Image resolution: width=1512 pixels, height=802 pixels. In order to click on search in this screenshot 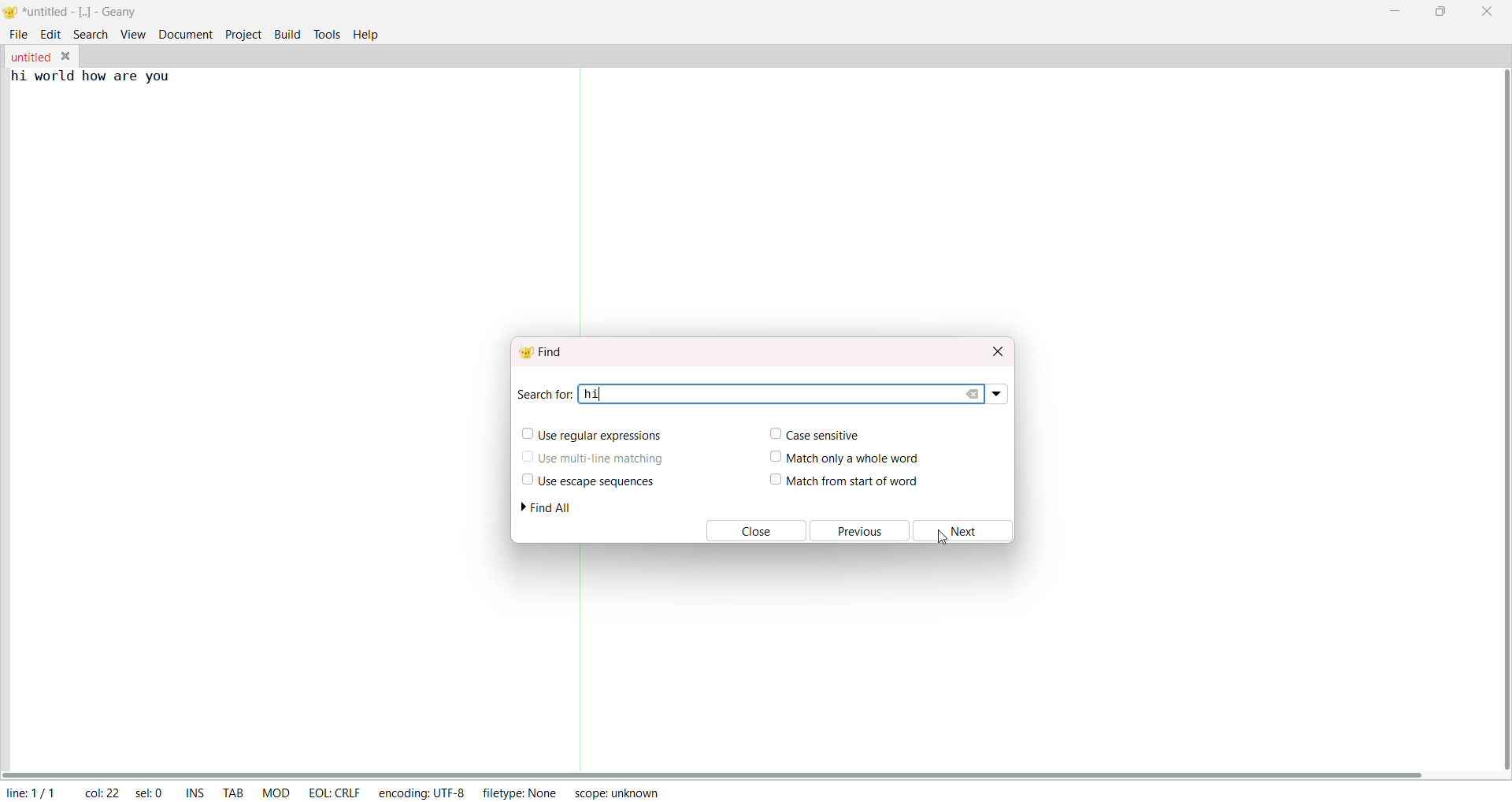, I will do `click(90, 33)`.